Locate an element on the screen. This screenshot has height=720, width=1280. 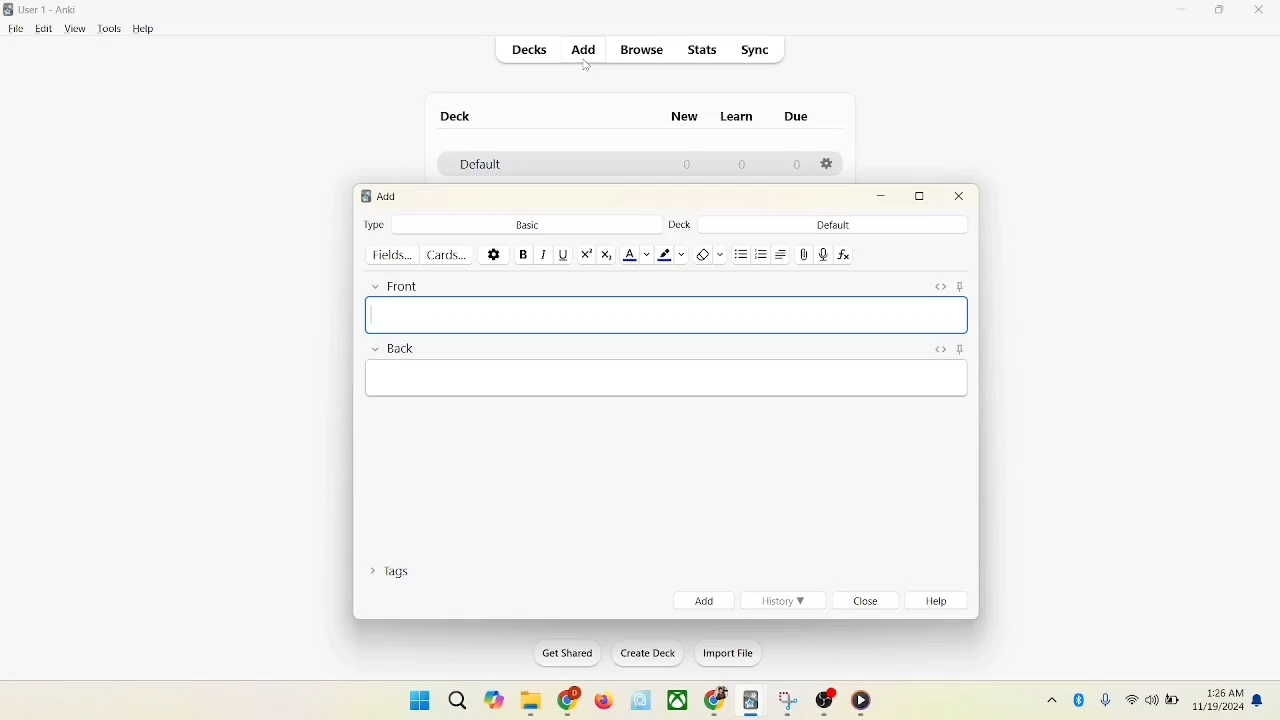
browse is located at coordinates (644, 51).